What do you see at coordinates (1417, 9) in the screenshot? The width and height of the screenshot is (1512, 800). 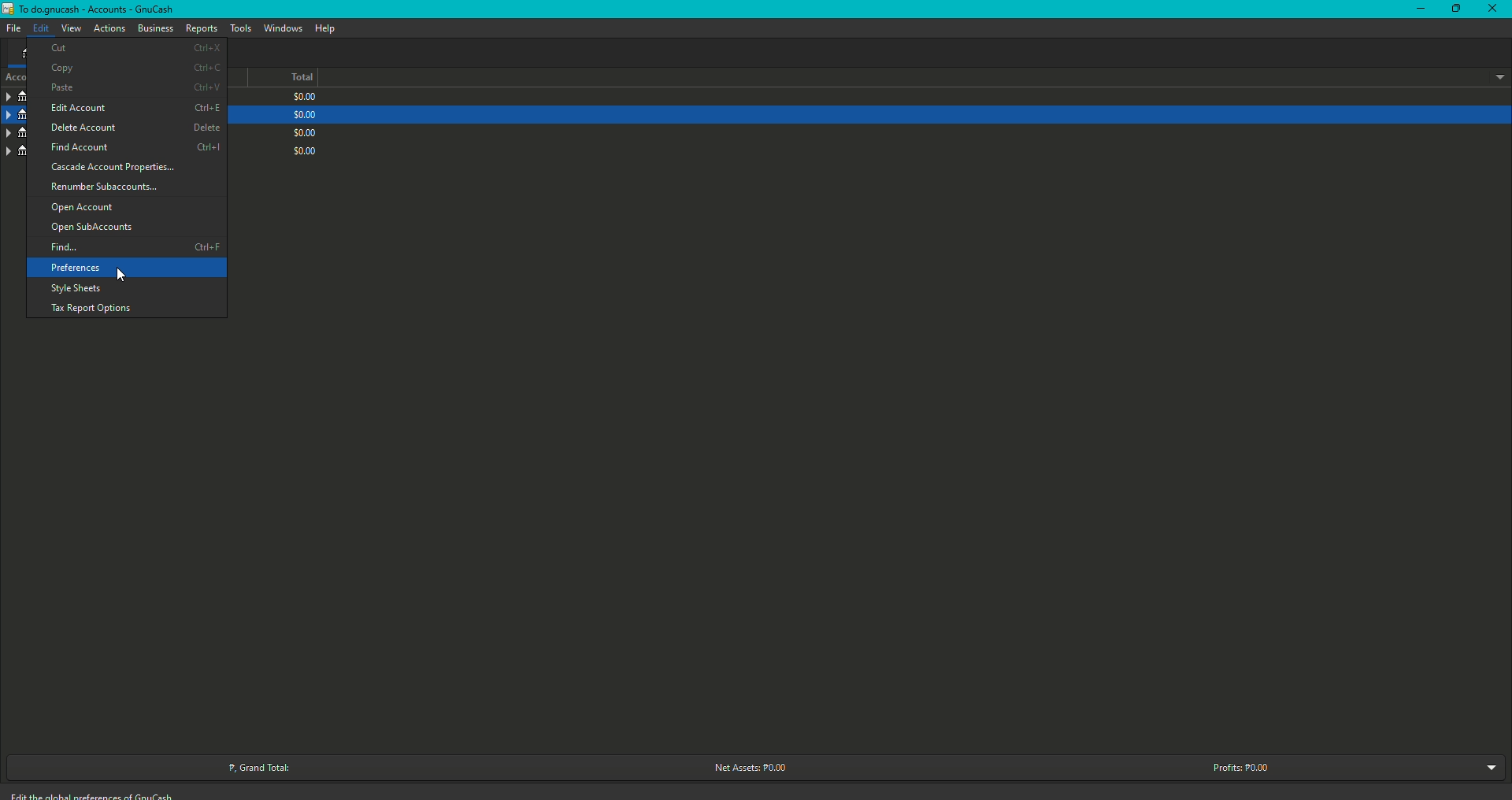 I see `Minimize` at bounding box center [1417, 9].